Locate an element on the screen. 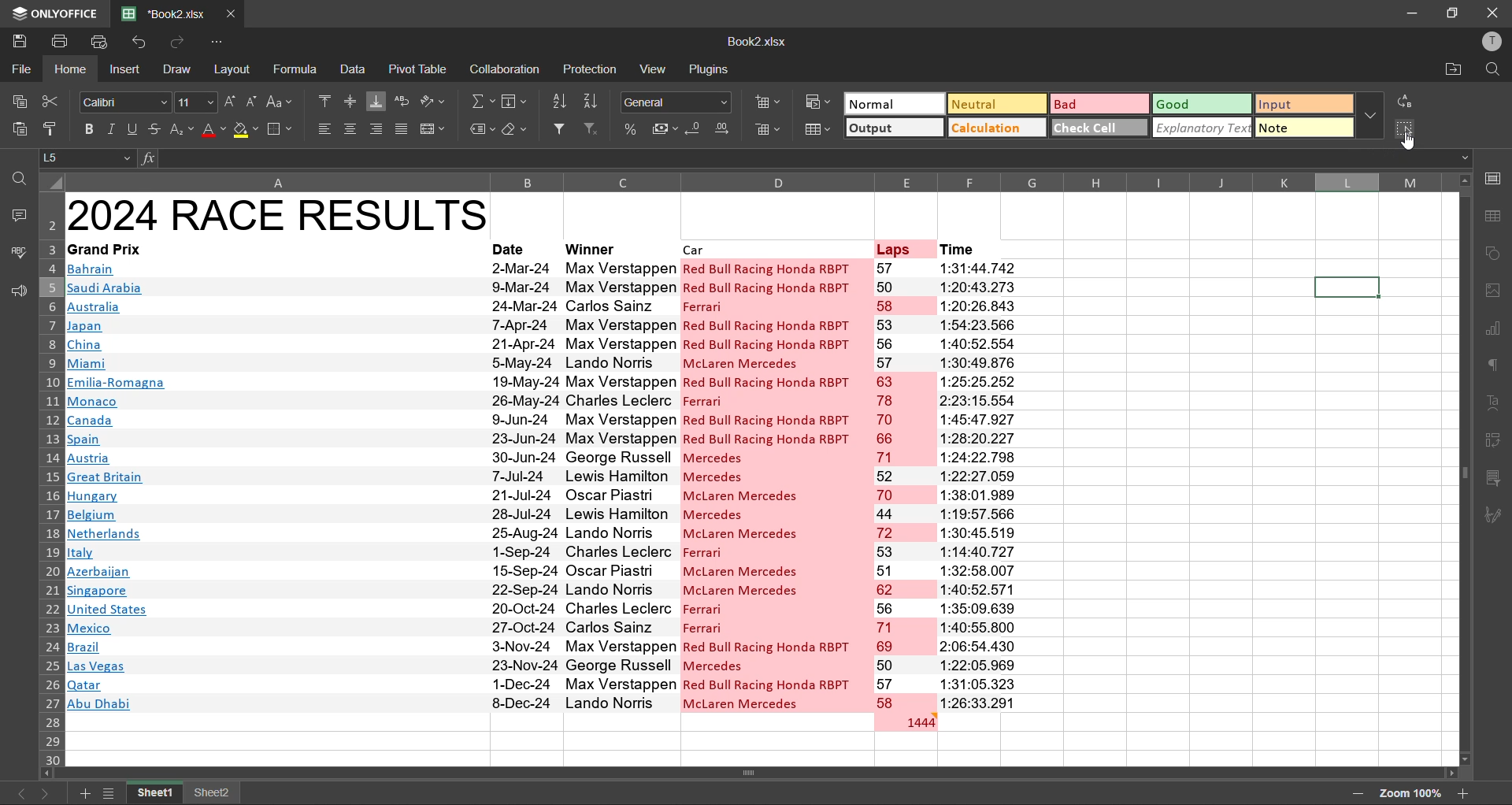  sort ascending is located at coordinates (564, 102).